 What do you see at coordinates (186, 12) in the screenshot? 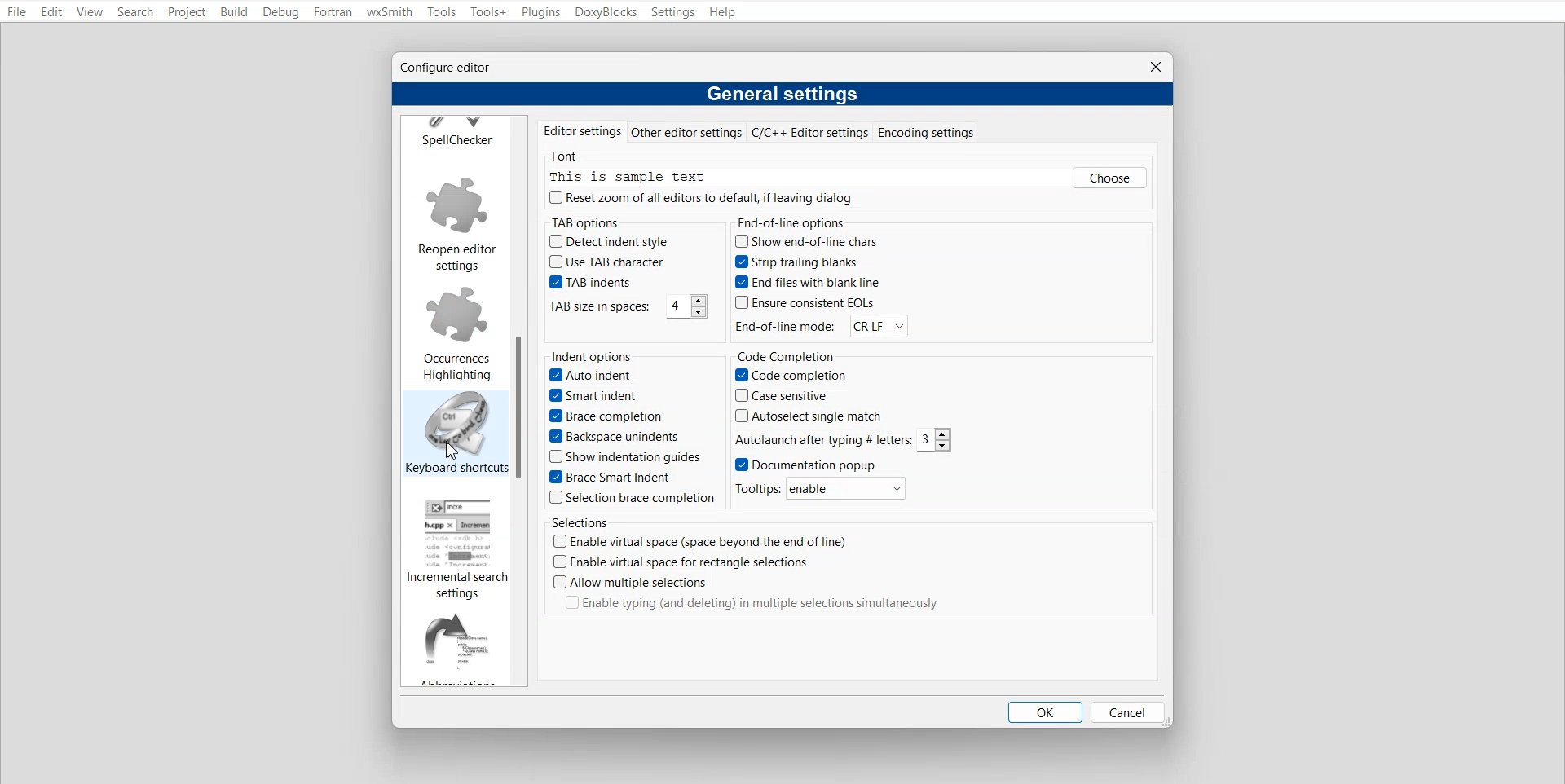
I see `Project` at bounding box center [186, 12].